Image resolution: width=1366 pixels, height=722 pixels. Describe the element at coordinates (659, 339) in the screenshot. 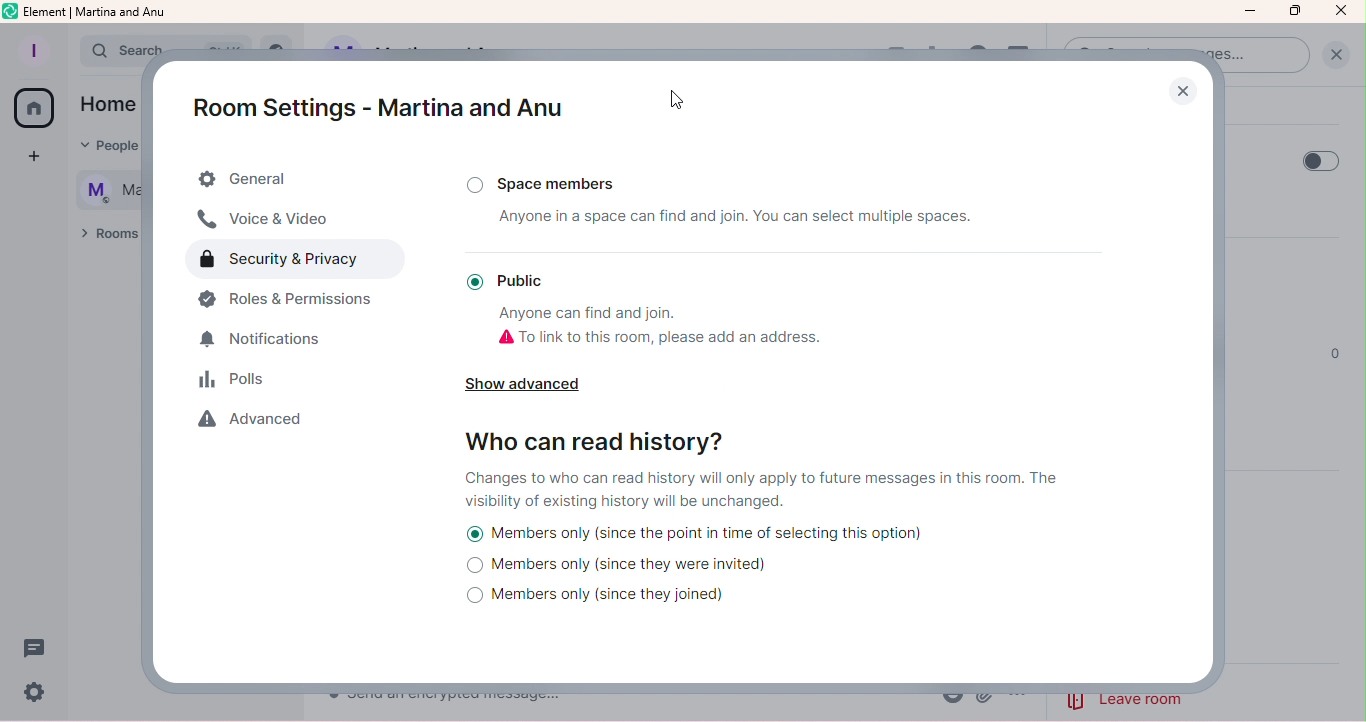

I see `To link to this room, please add an address.` at that location.